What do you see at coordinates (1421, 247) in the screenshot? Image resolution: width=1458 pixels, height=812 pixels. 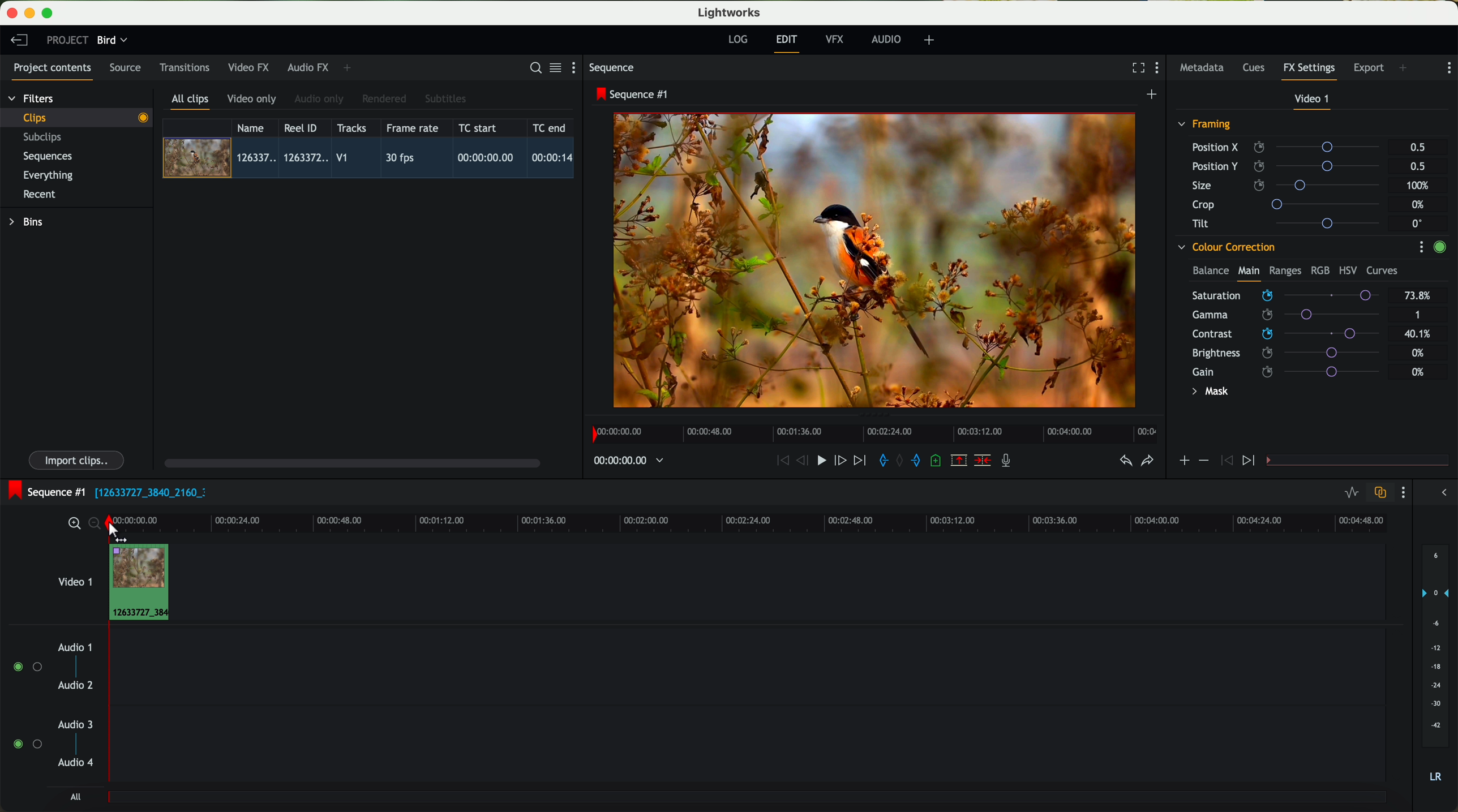 I see `show settings menu` at bounding box center [1421, 247].